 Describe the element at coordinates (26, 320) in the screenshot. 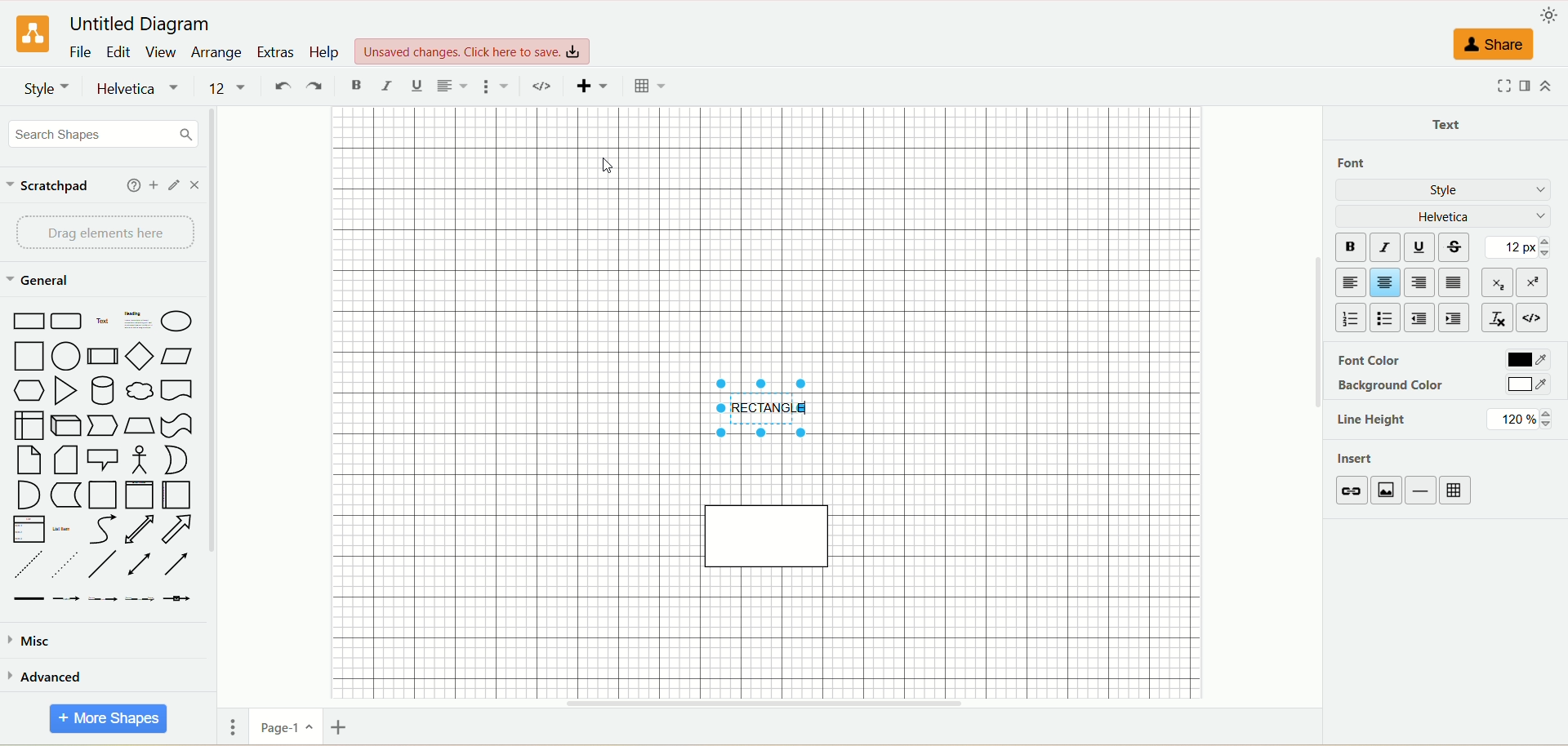

I see `rectangle` at that location.